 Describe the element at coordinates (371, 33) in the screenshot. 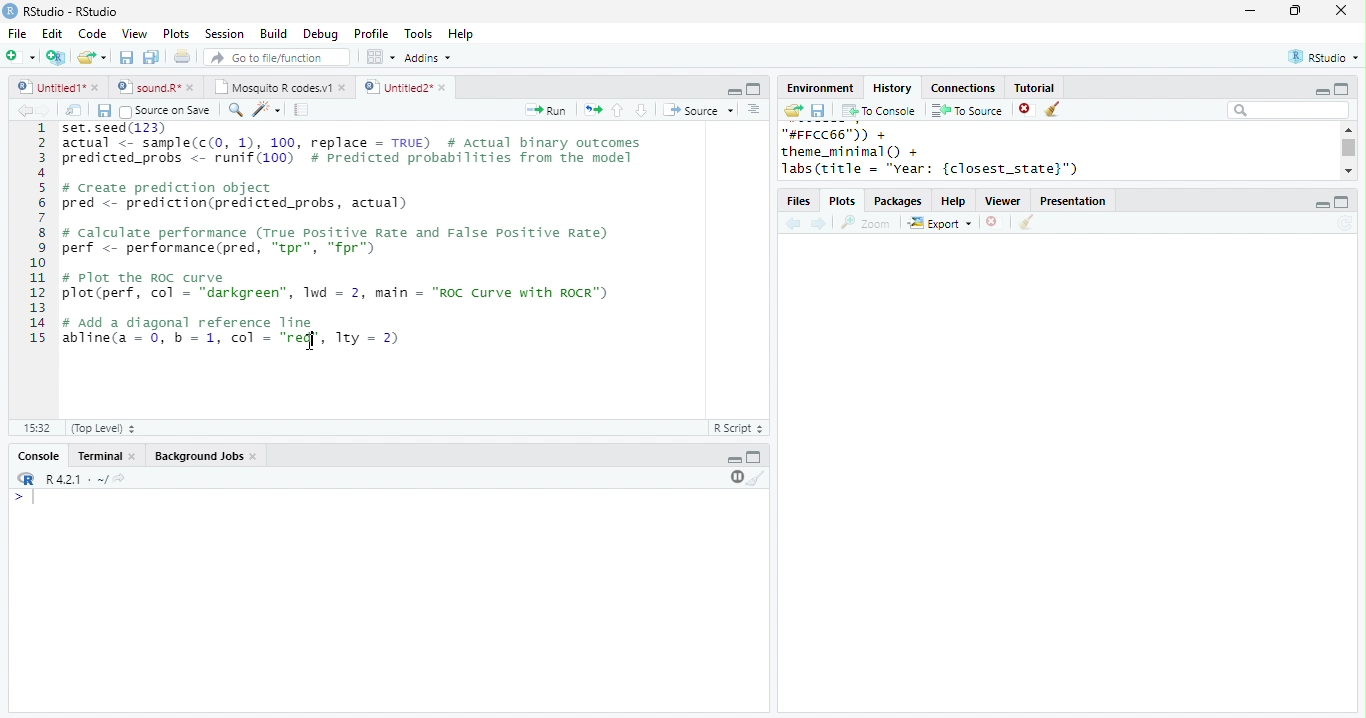

I see `Profile` at that location.